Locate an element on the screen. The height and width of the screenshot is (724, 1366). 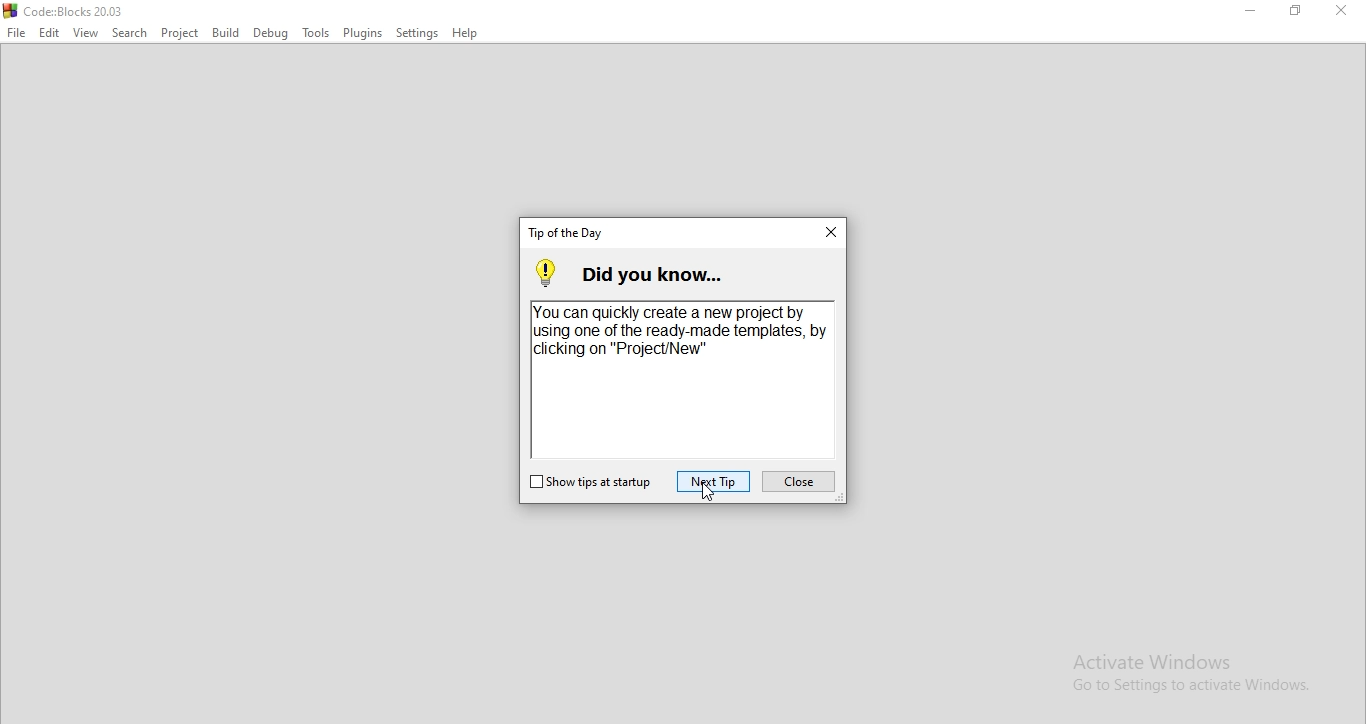
close is located at coordinates (799, 482).